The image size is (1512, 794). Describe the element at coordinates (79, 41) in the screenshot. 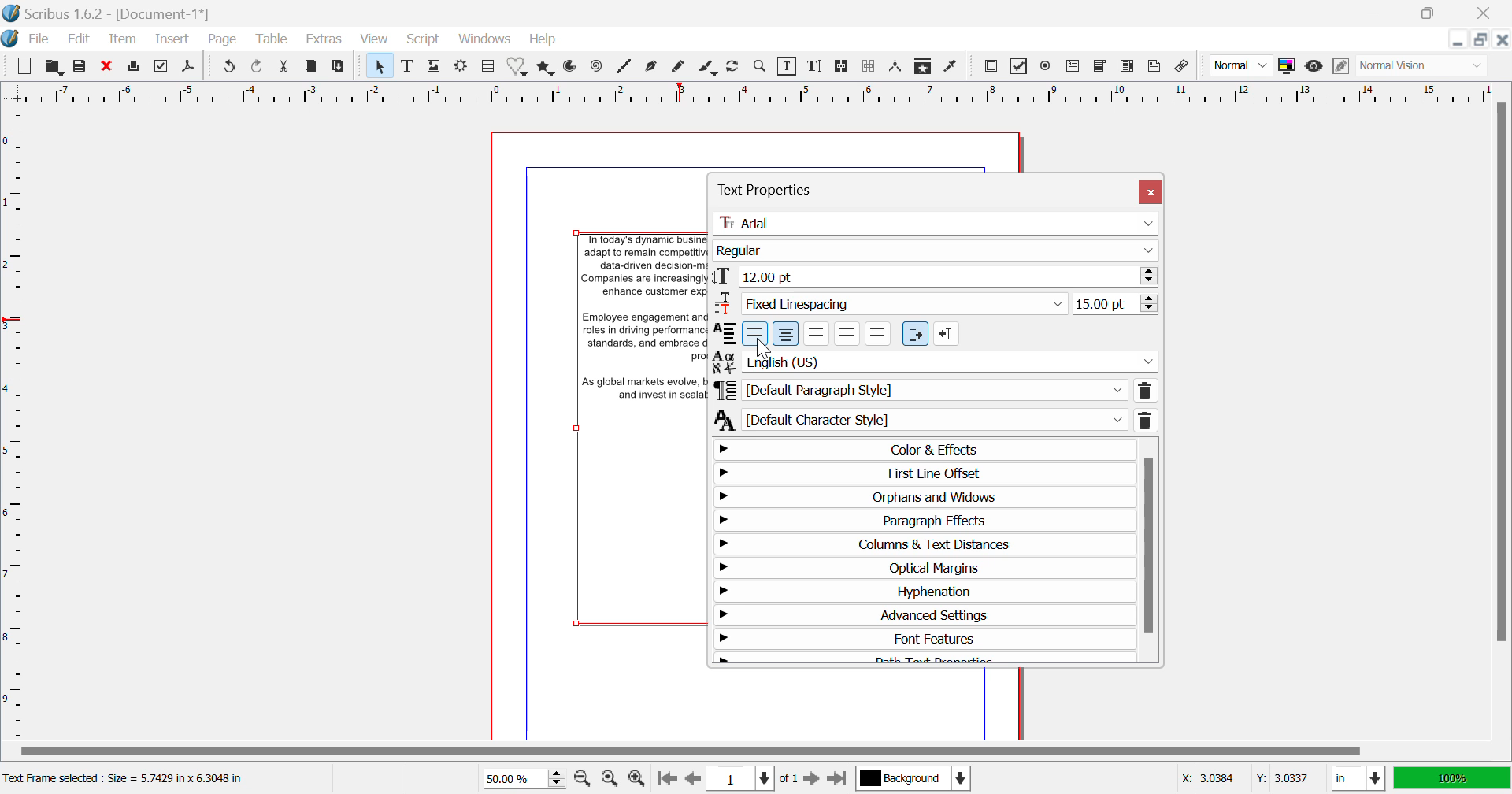

I see `Edit` at that location.